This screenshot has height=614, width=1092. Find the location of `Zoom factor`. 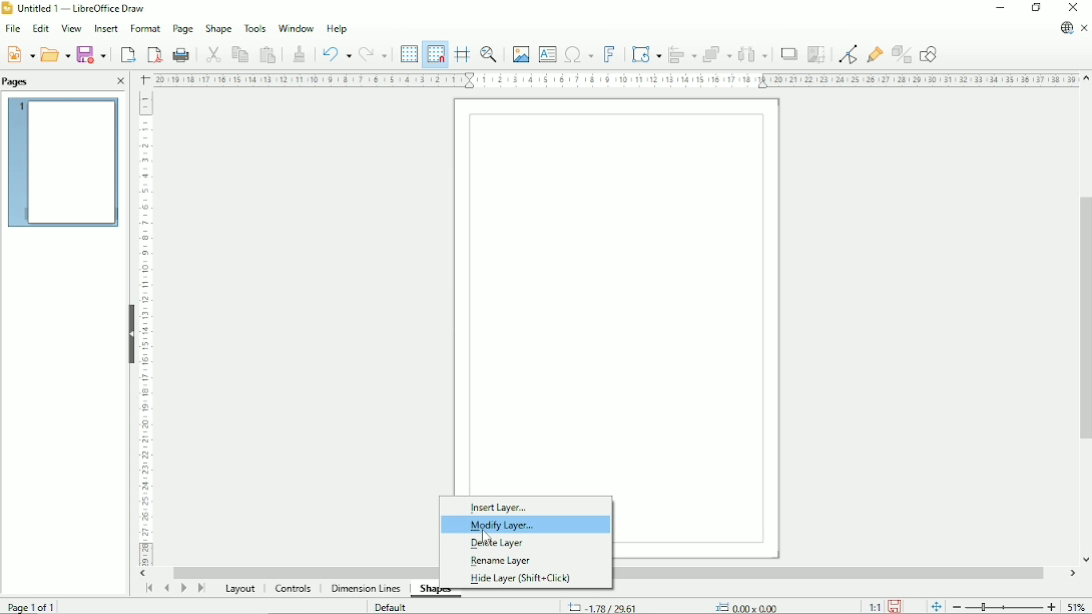

Zoom factor is located at coordinates (1077, 607).